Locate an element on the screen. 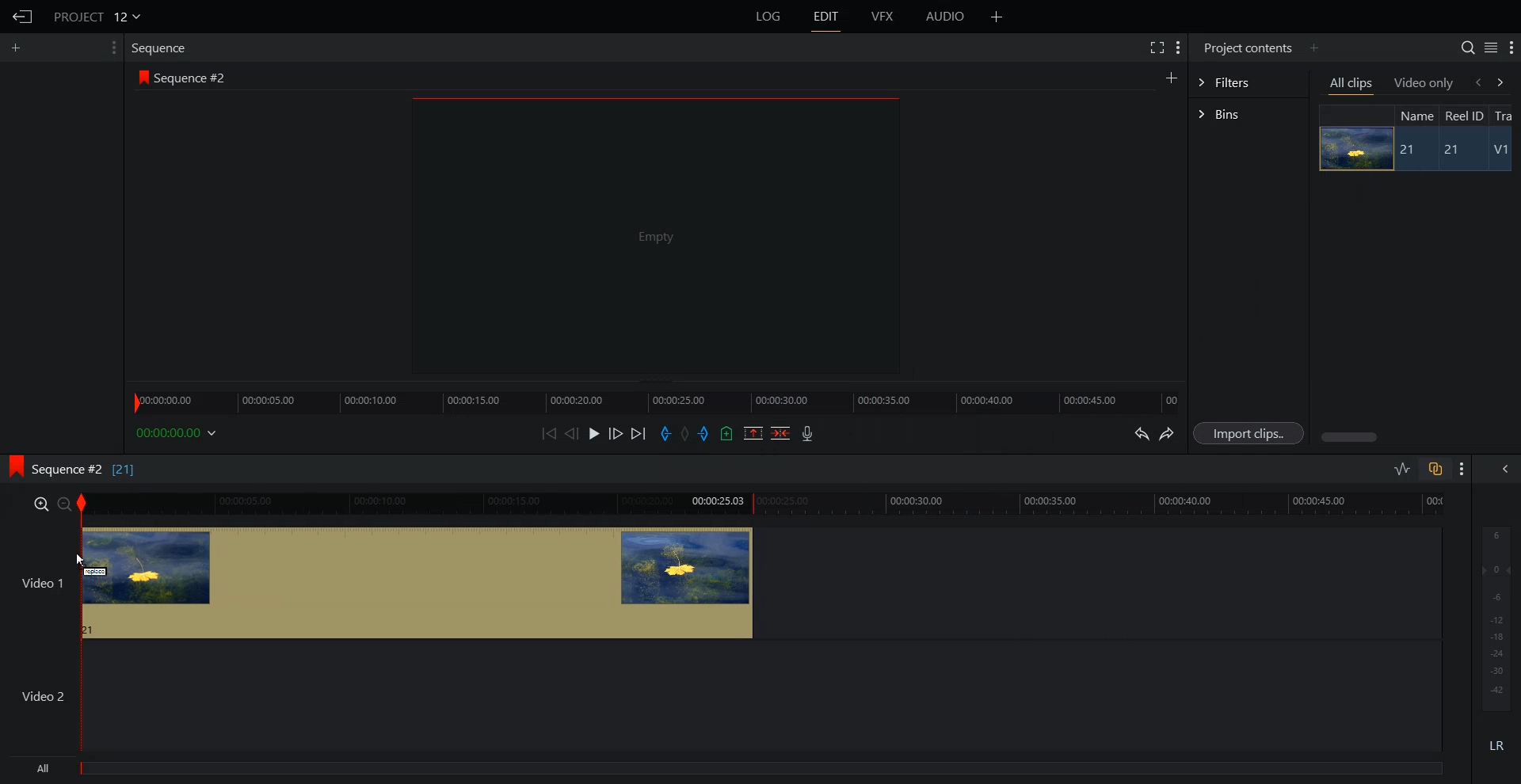 The height and width of the screenshot is (784, 1521). Show setting menu is located at coordinates (1178, 48).